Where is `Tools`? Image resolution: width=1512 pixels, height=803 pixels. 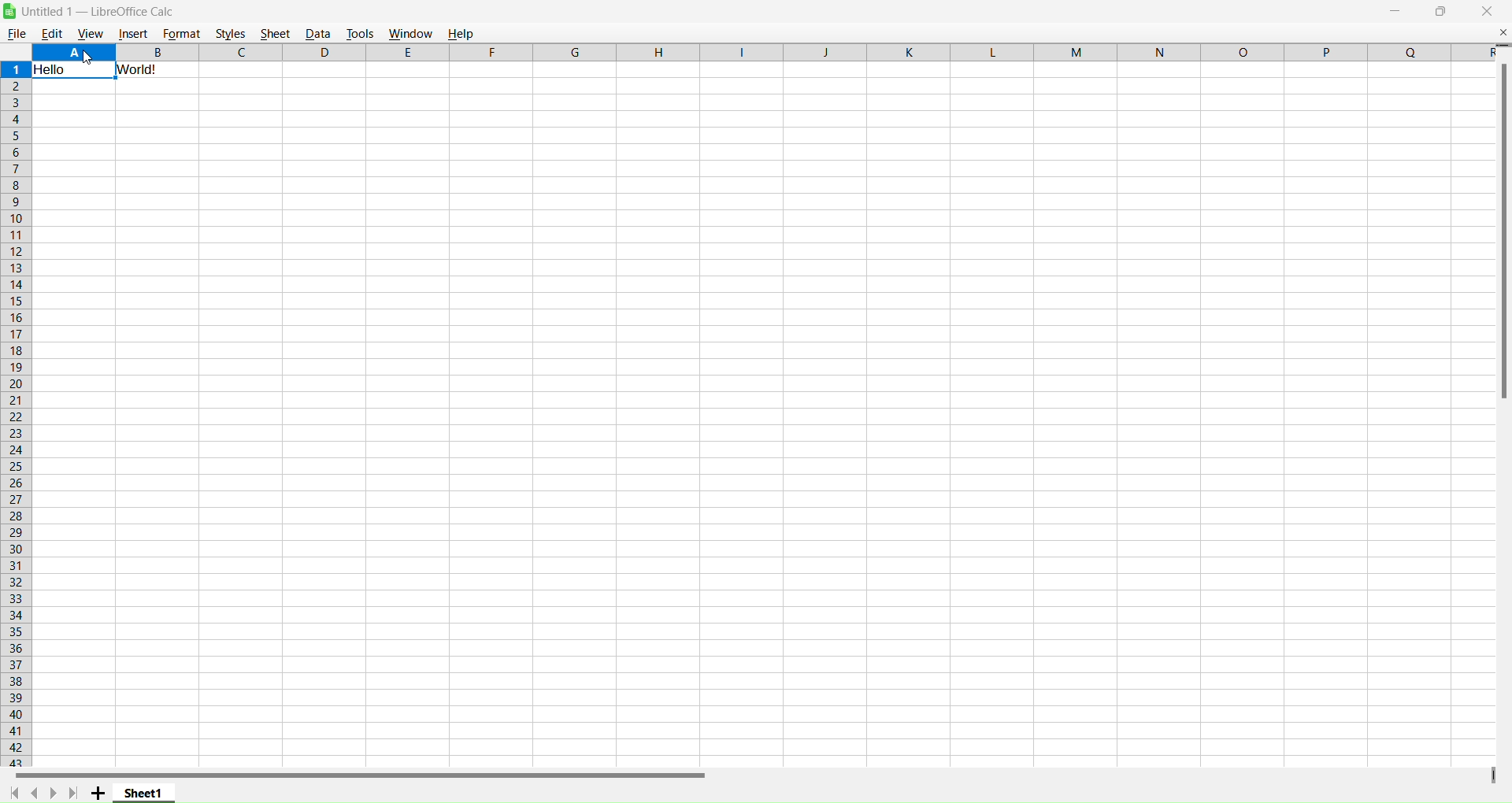 Tools is located at coordinates (360, 32).